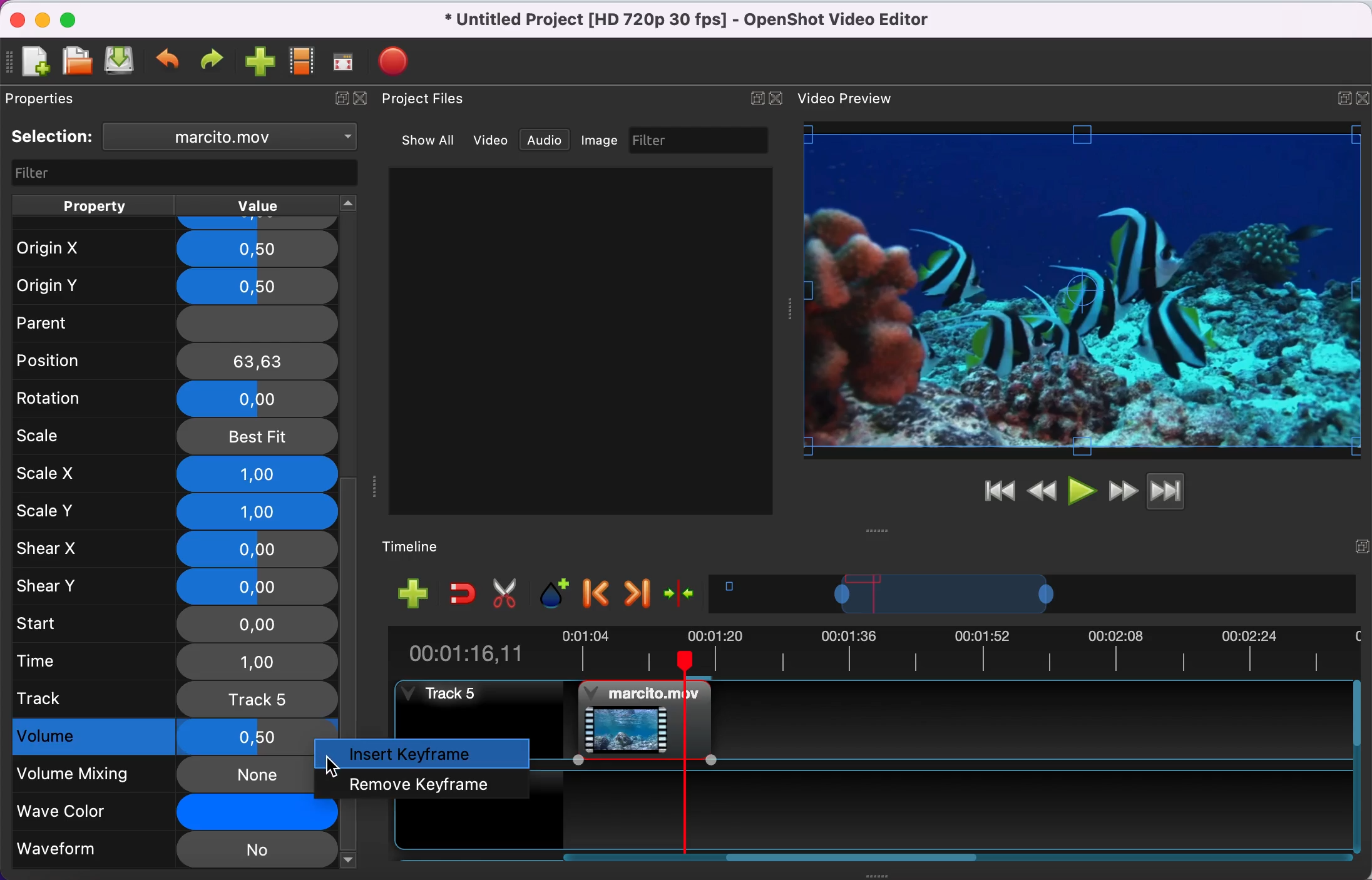 The image size is (1372, 880). Describe the element at coordinates (424, 783) in the screenshot. I see `remove keyframe` at that location.